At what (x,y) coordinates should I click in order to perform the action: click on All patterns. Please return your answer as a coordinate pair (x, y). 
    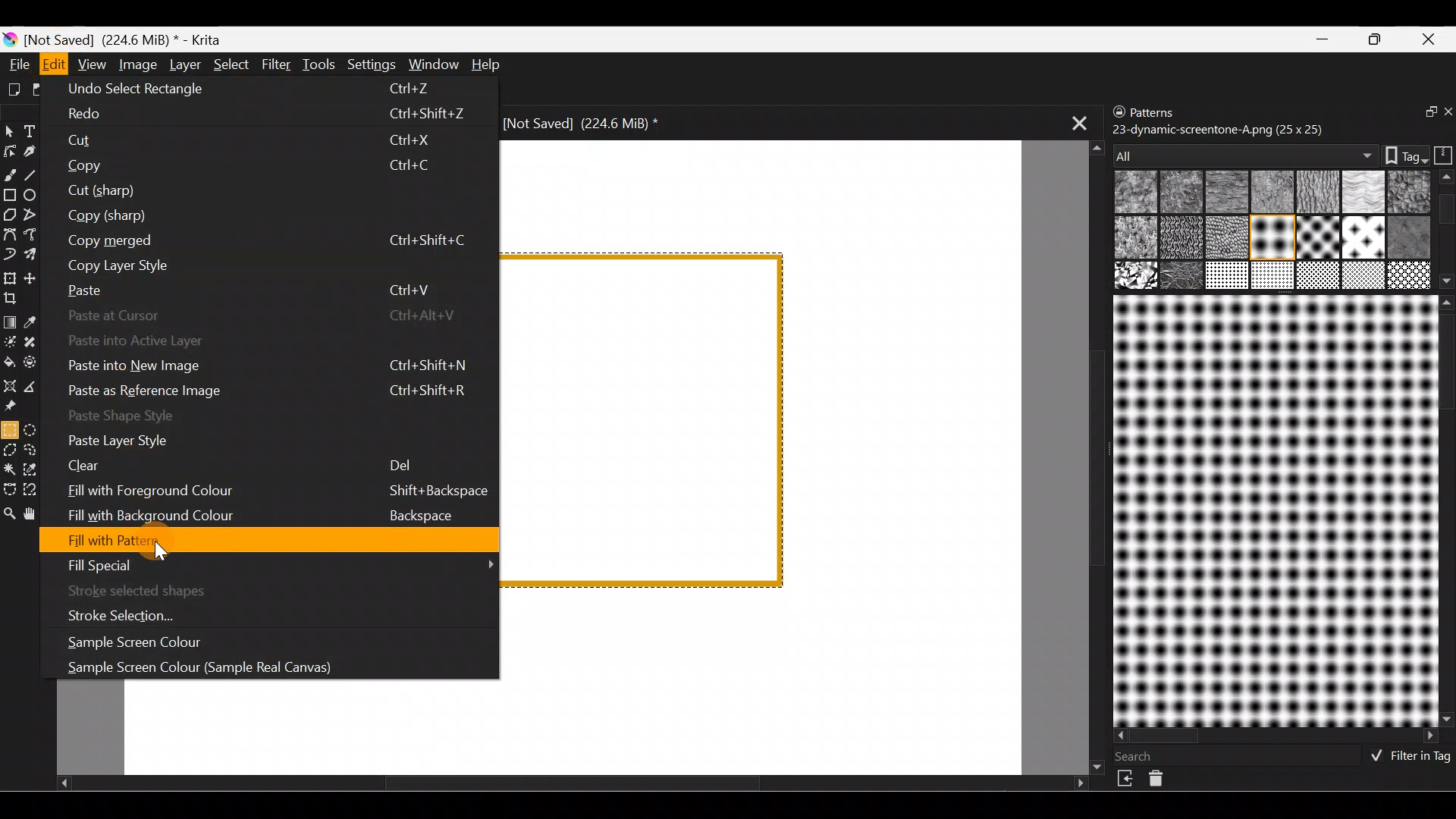
    Looking at the image, I should click on (1241, 151).